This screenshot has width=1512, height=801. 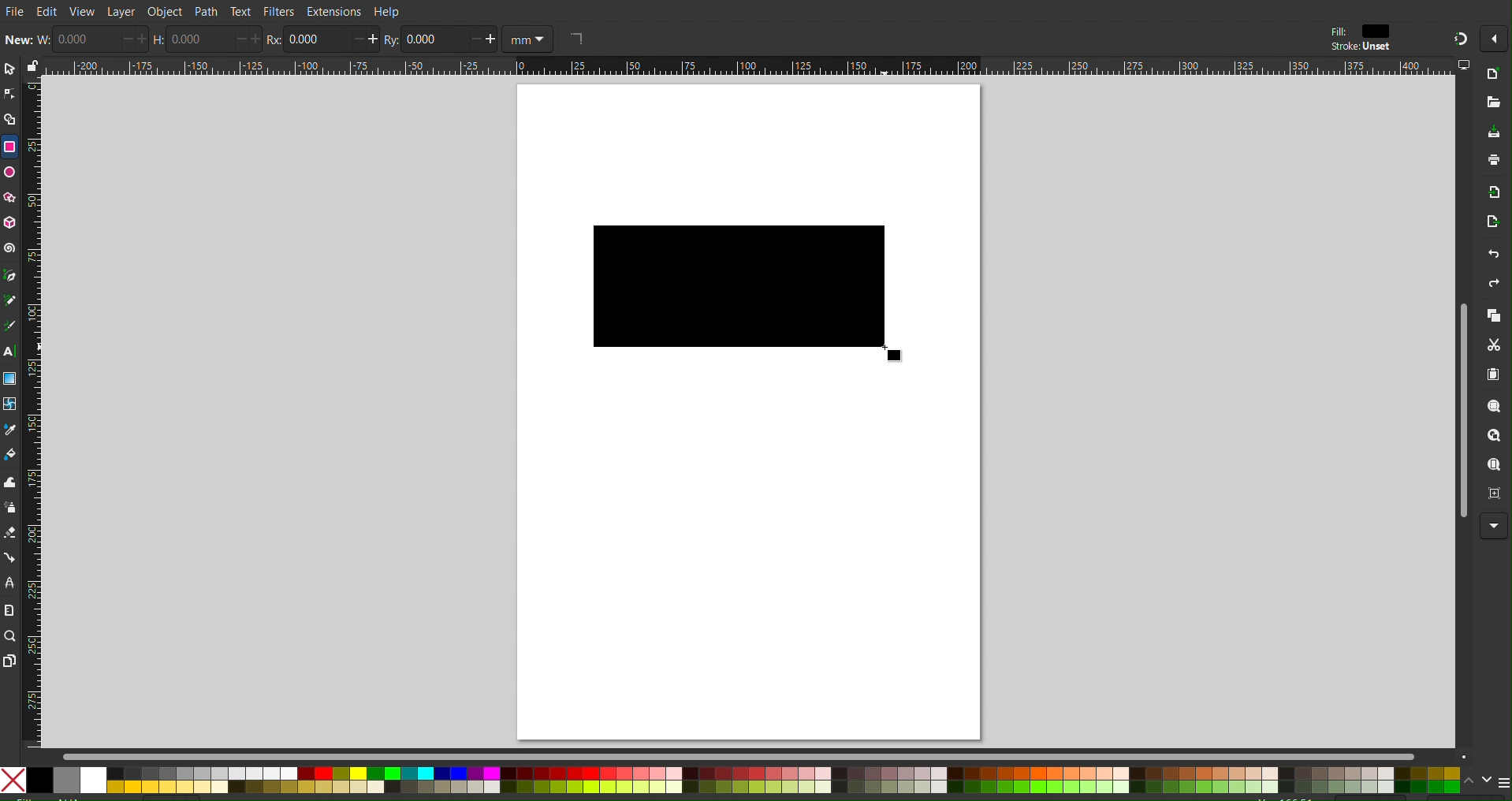 I want to click on Rectangle, so click(x=9, y=147).